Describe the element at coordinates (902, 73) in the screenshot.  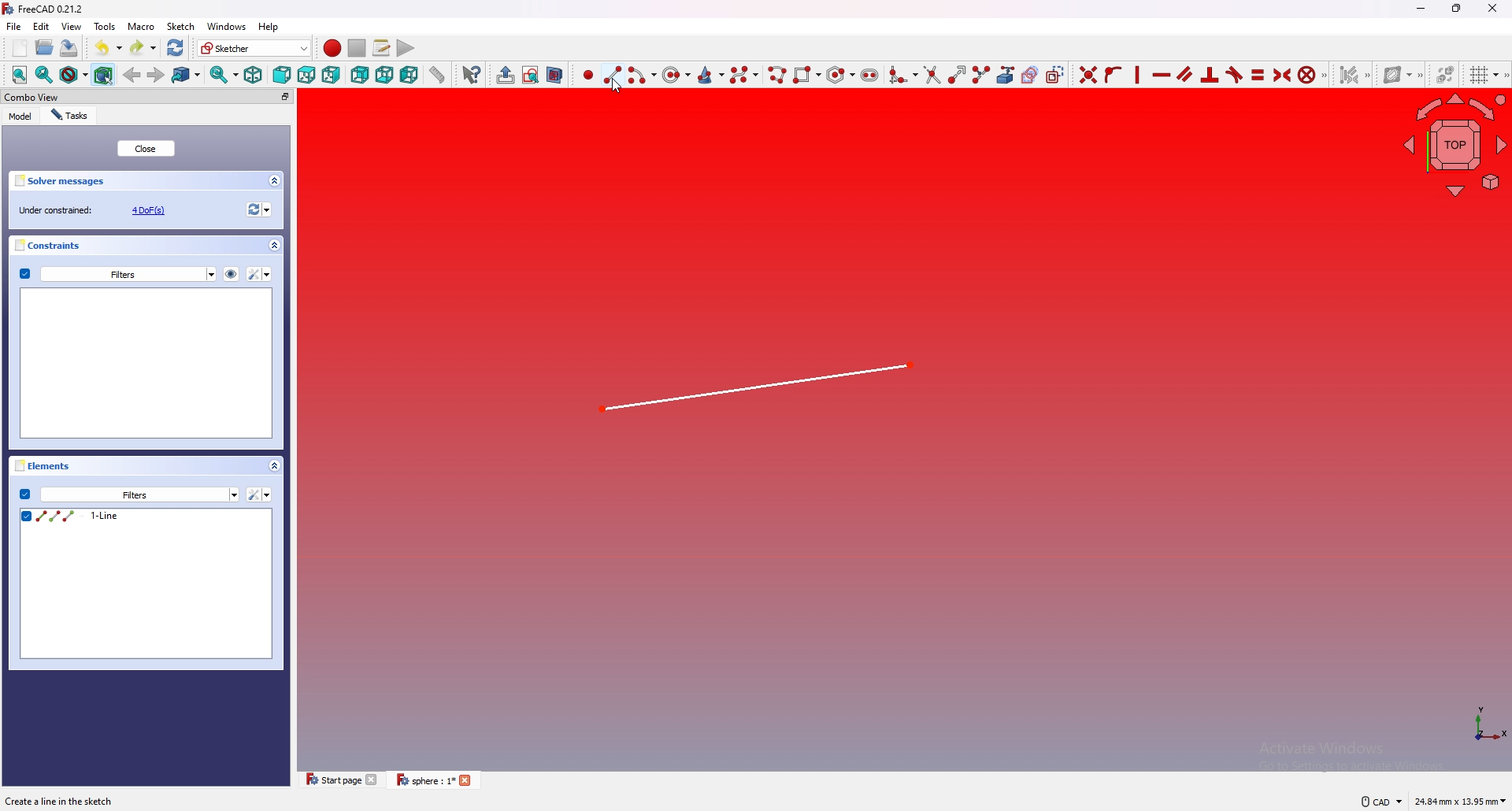
I see `Create fillet` at that location.